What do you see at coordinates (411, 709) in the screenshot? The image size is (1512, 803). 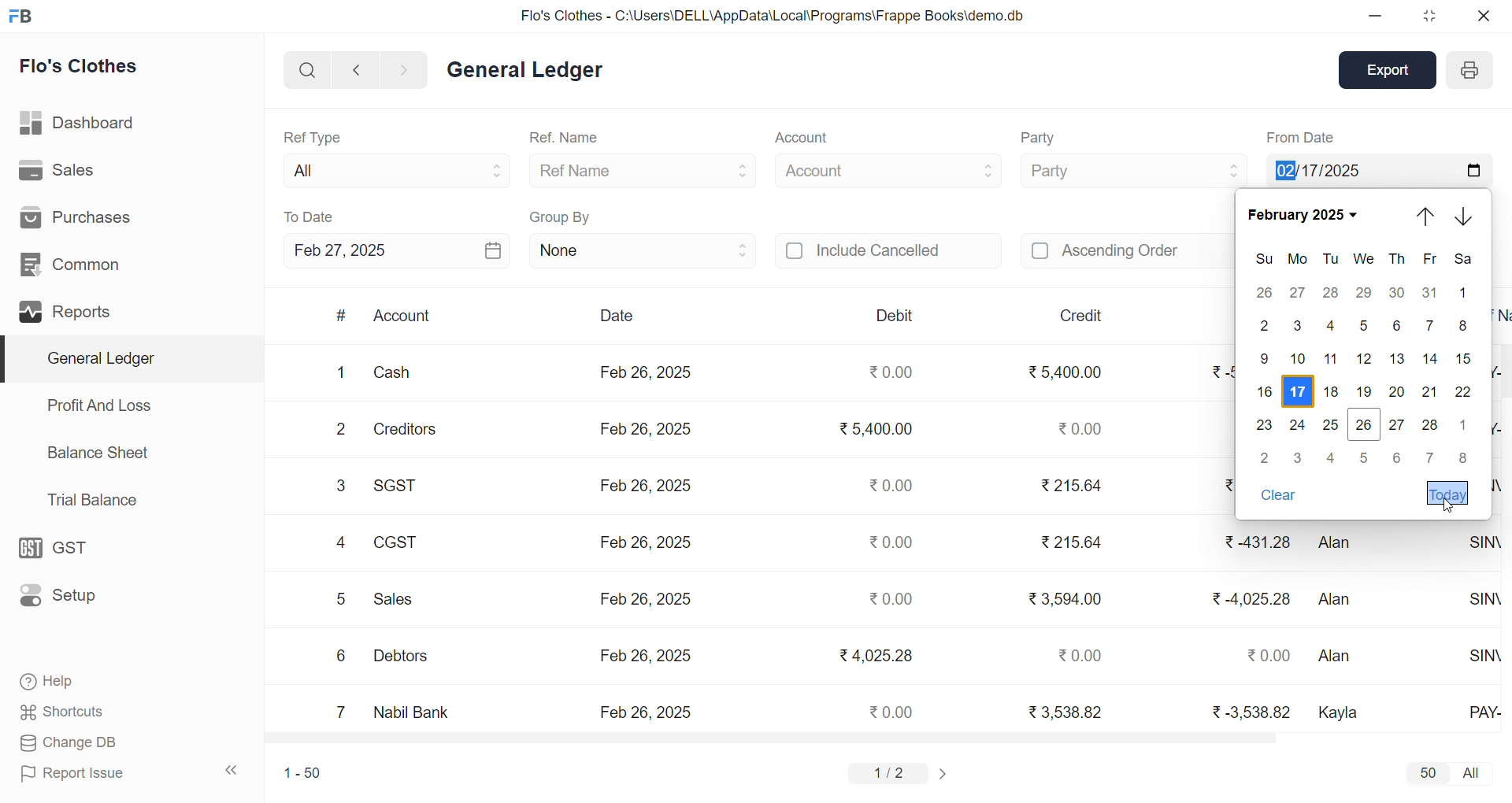 I see `Nabil Bank` at bounding box center [411, 709].